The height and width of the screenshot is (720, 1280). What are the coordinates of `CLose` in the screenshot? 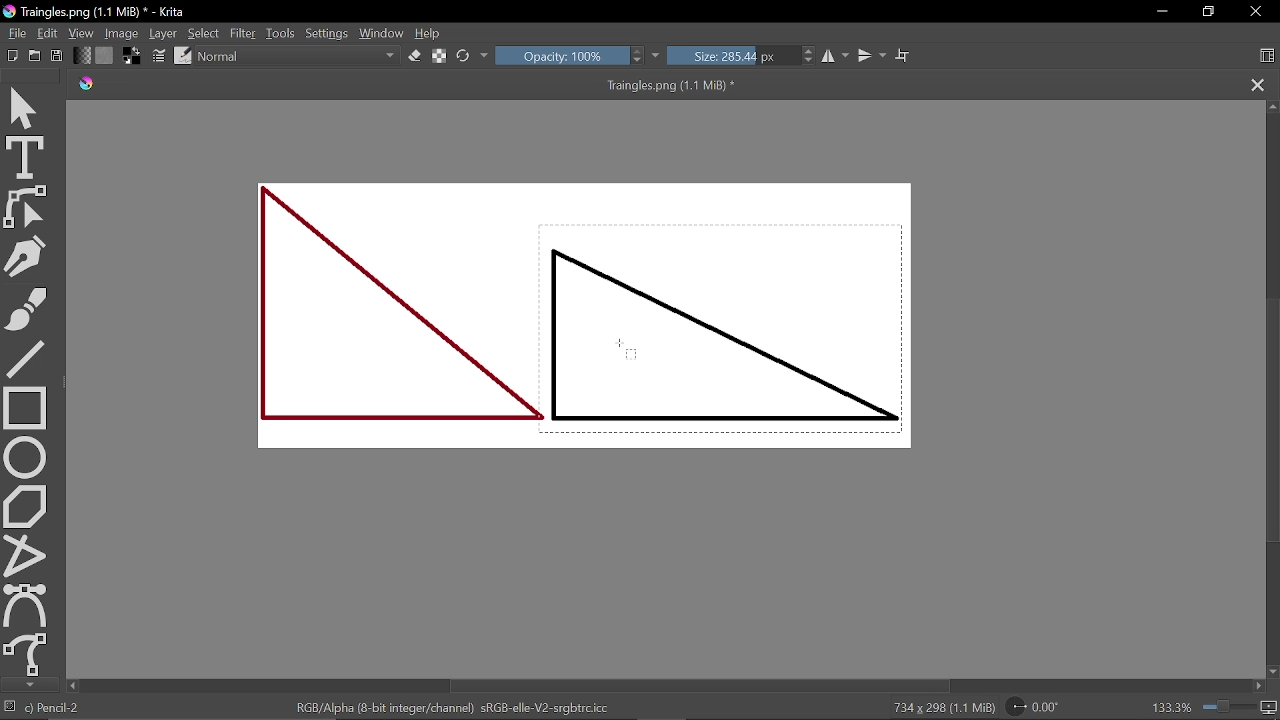 It's located at (1256, 12).